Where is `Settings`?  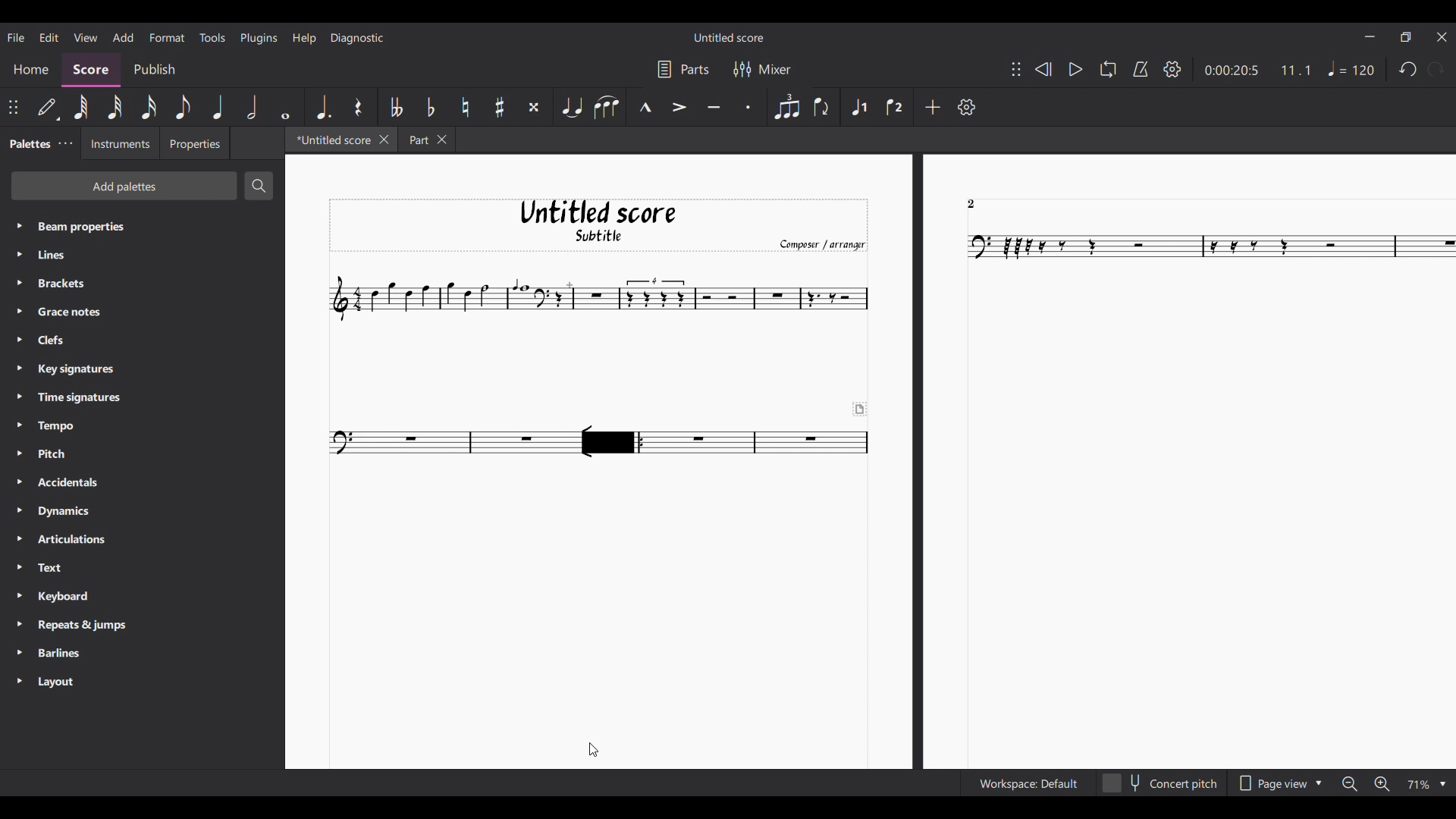
Settings is located at coordinates (967, 106).